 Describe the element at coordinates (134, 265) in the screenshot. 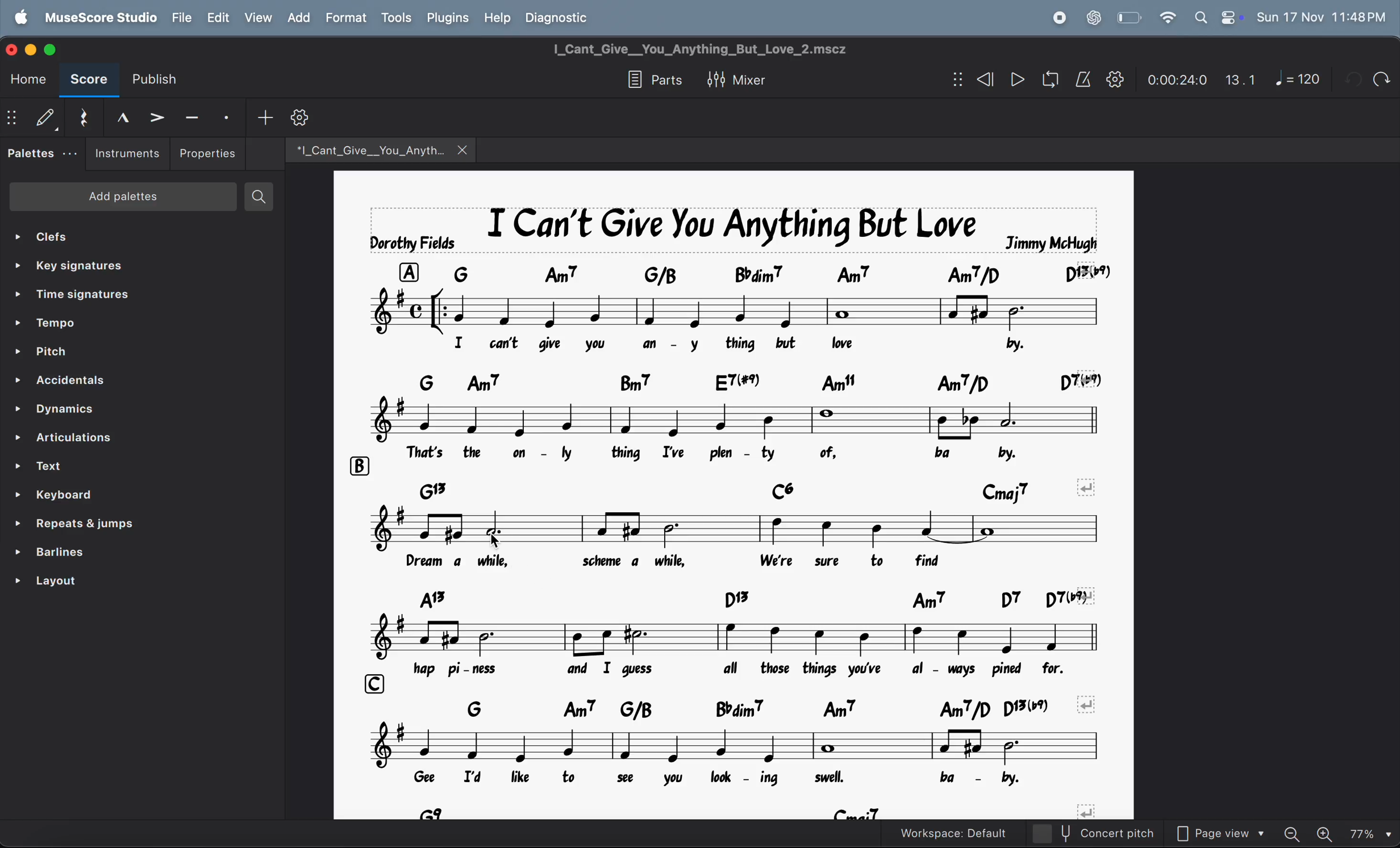

I see `key signature` at that location.